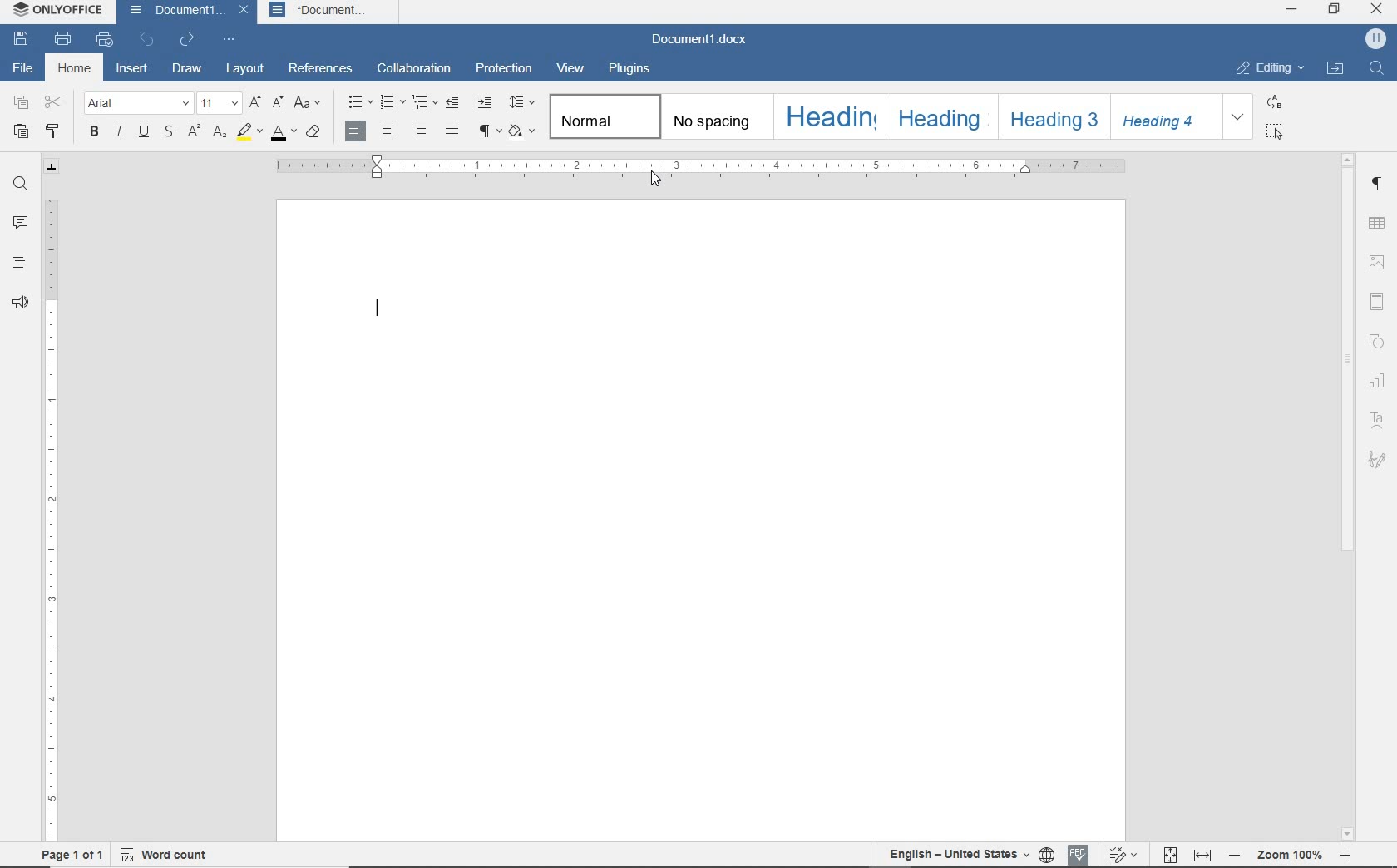  Describe the element at coordinates (52, 102) in the screenshot. I see `CUT` at that location.